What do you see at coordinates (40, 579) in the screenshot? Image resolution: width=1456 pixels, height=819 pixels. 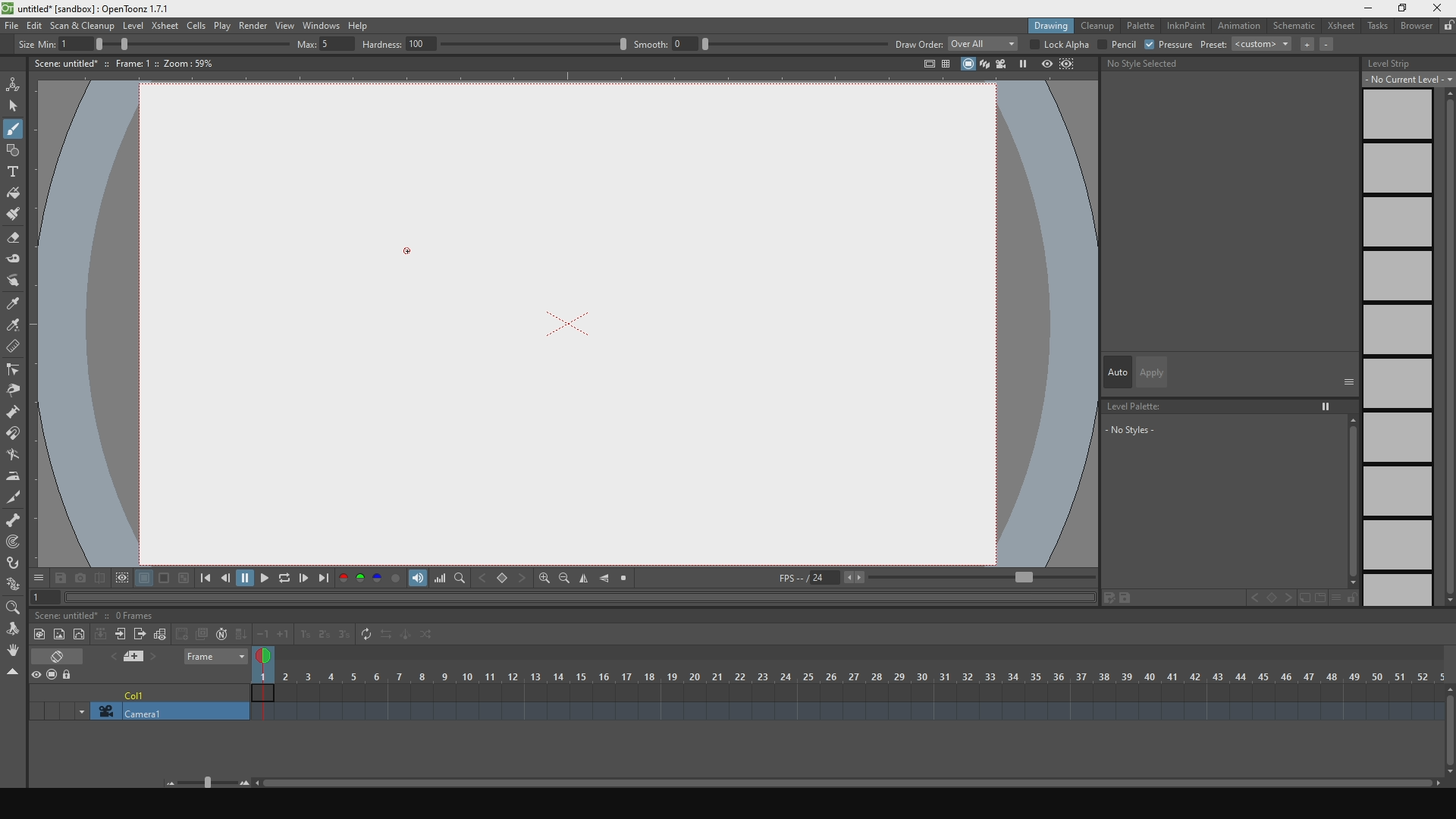 I see `options` at bounding box center [40, 579].